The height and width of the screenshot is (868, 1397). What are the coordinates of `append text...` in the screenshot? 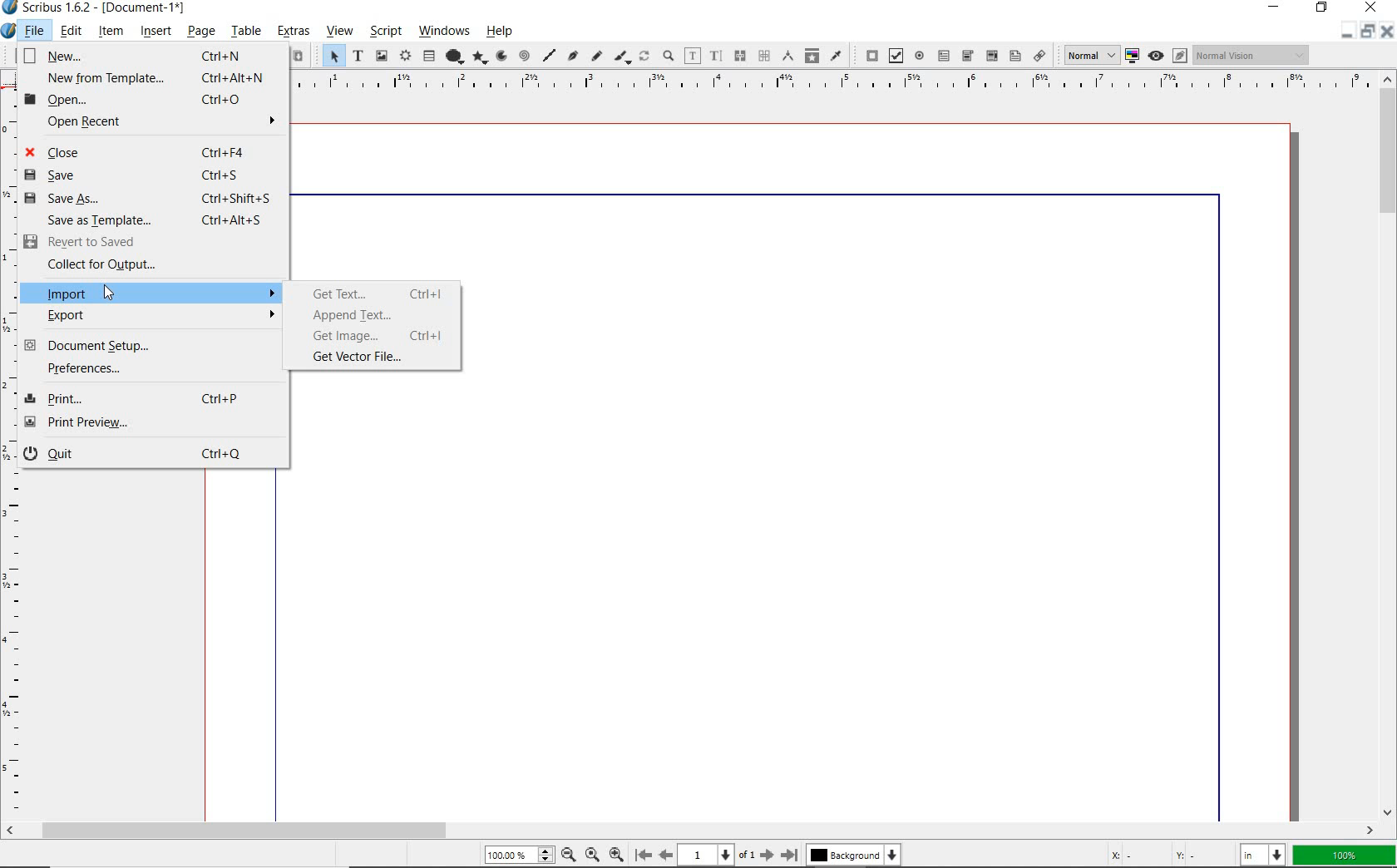 It's located at (374, 314).